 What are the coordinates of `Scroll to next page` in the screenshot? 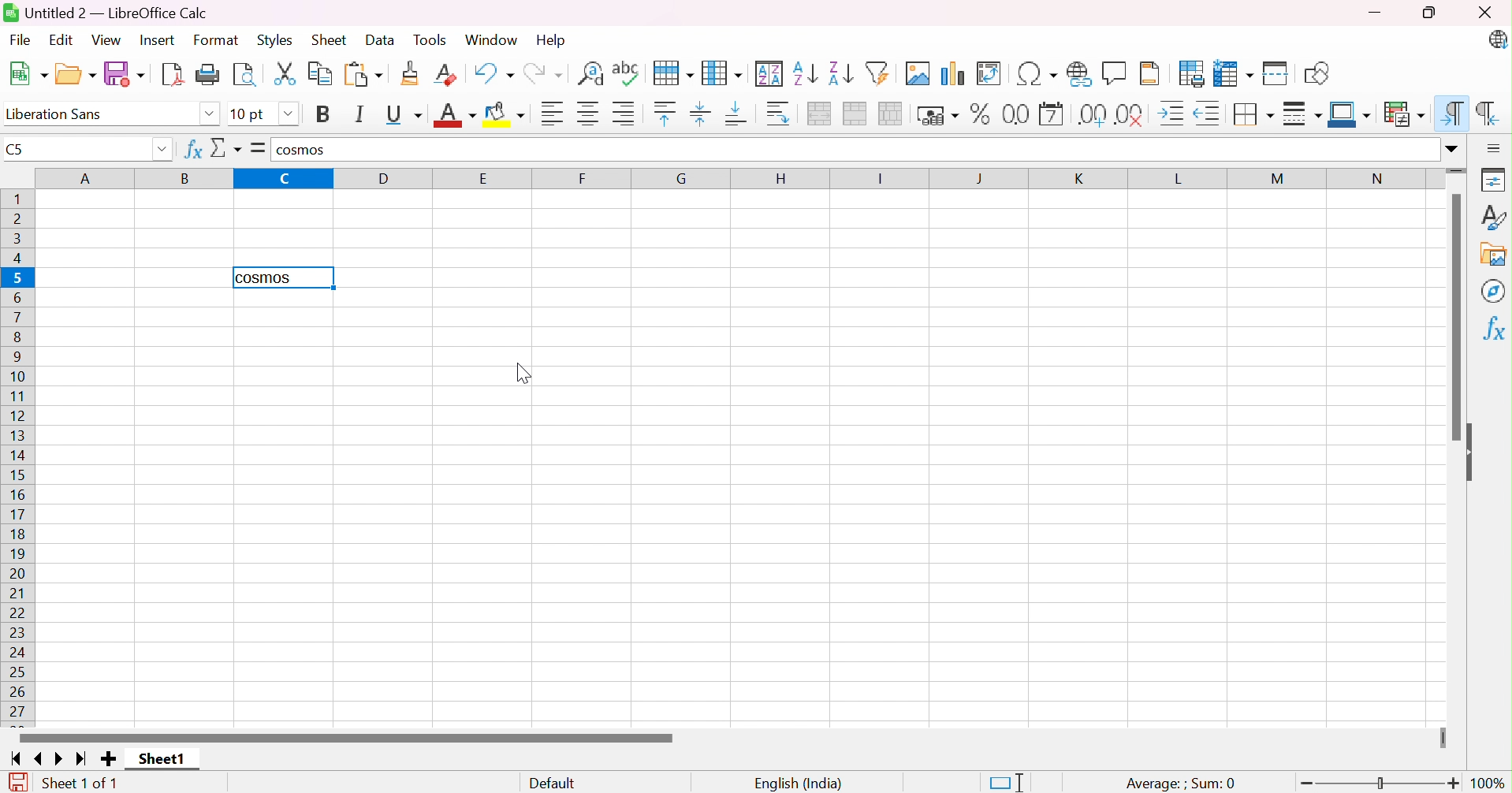 It's located at (63, 758).